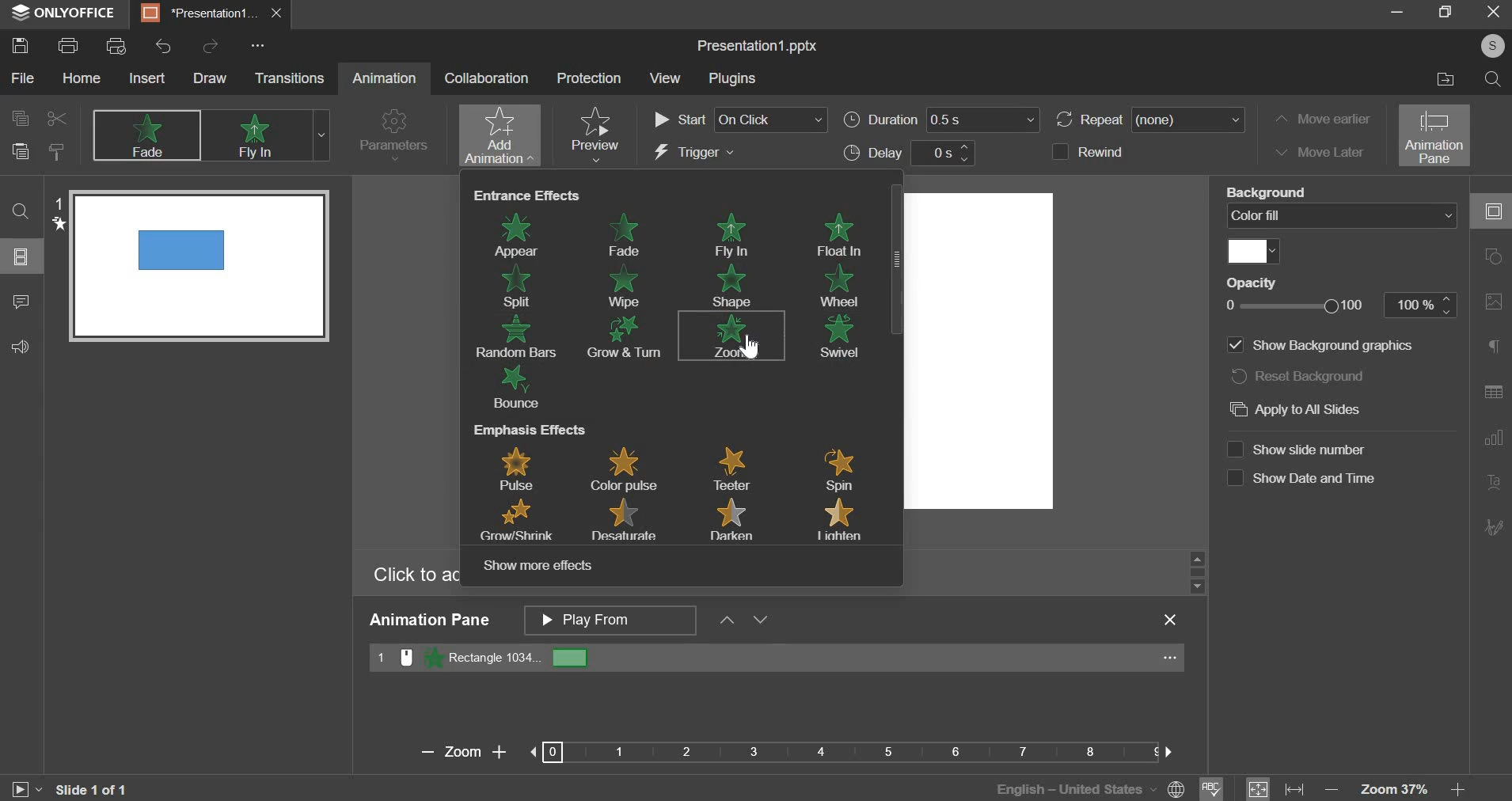  What do you see at coordinates (668, 78) in the screenshot?
I see `View` at bounding box center [668, 78].